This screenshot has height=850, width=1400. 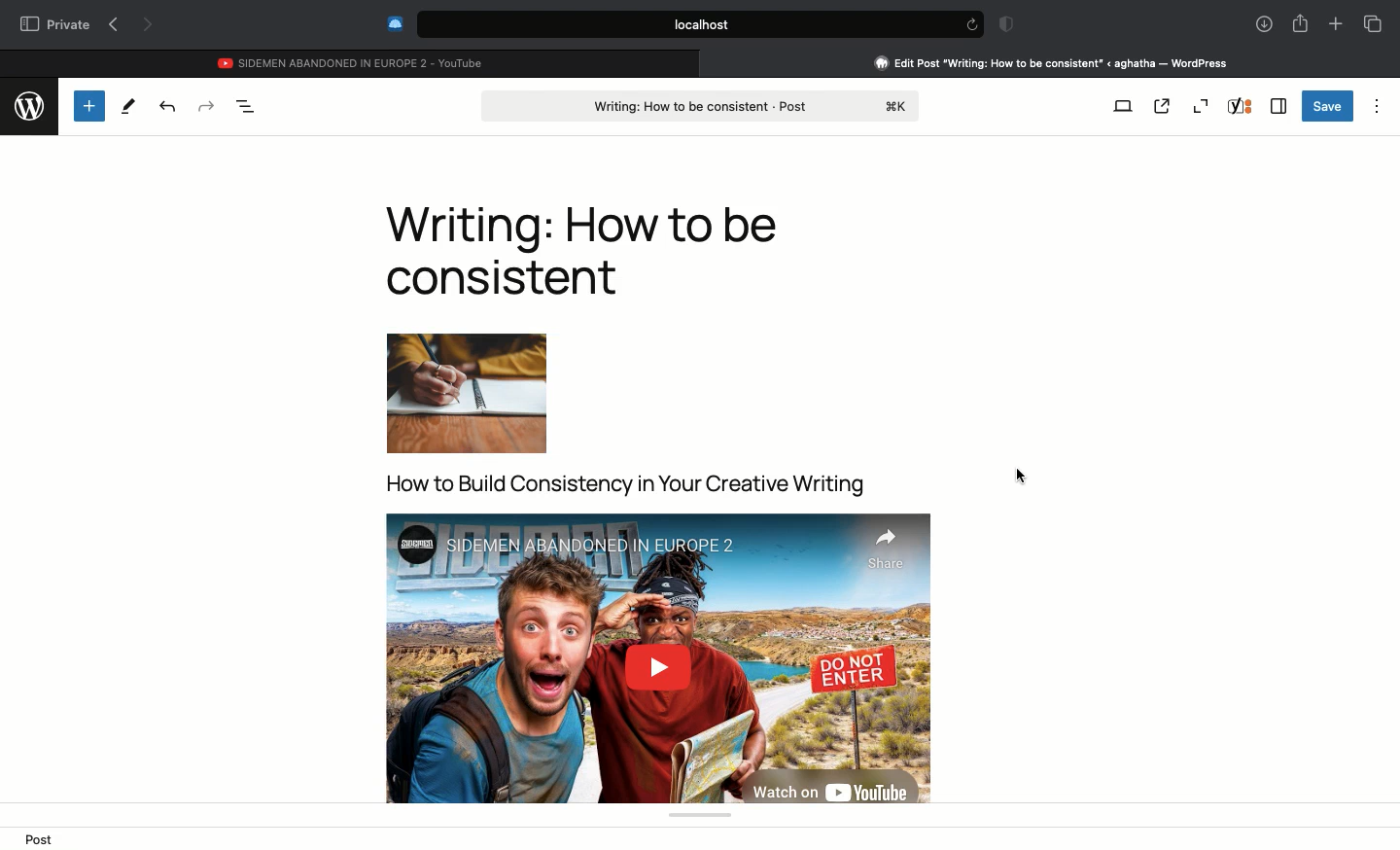 I want to click on Options, so click(x=1379, y=103).